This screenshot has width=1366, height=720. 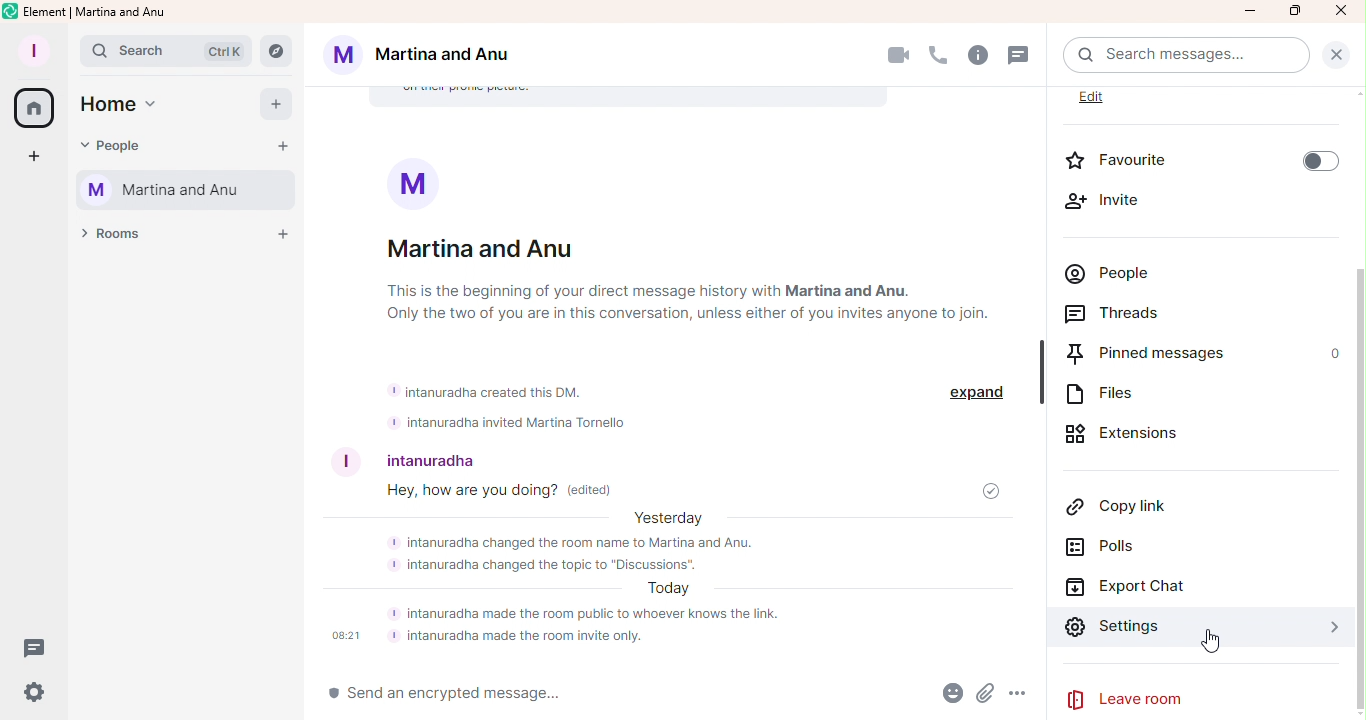 What do you see at coordinates (1194, 626) in the screenshot?
I see `Settings` at bounding box center [1194, 626].